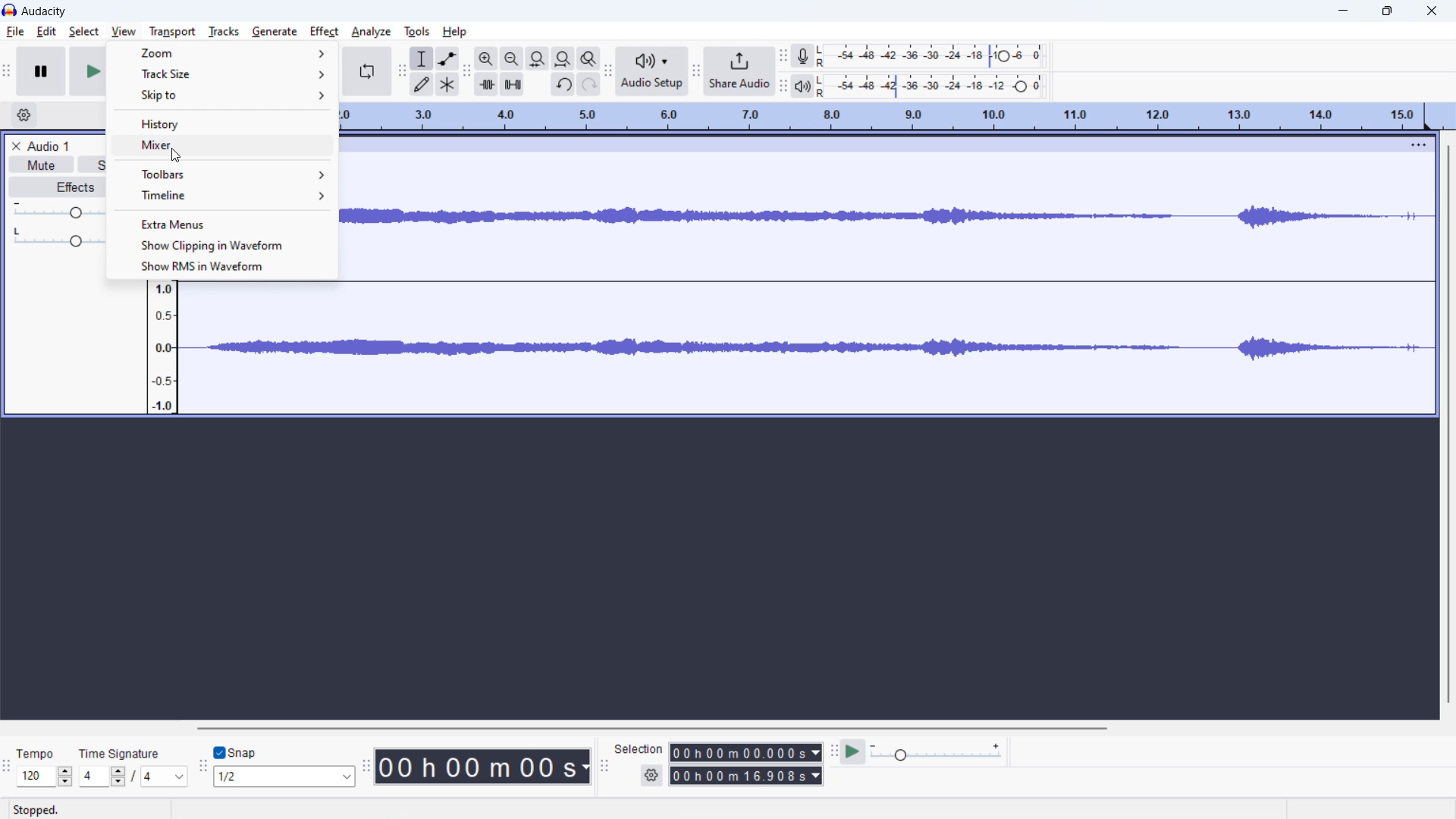 This screenshot has width=1456, height=819. What do you see at coordinates (563, 85) in the screenshot?
I see `undo` at bounding box center [563, 85].